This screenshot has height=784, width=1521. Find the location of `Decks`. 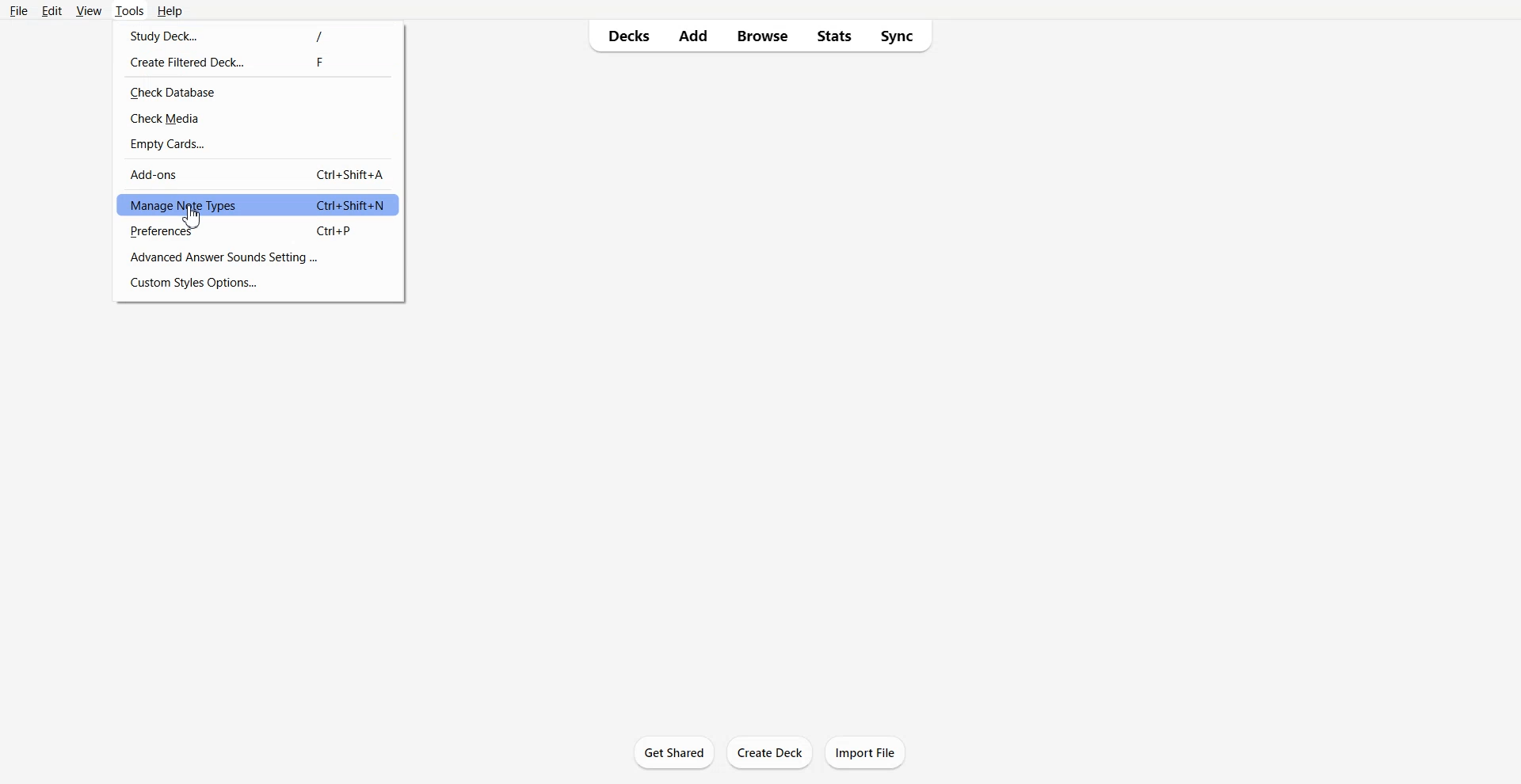

Decks is located at coordinates (624, 36).